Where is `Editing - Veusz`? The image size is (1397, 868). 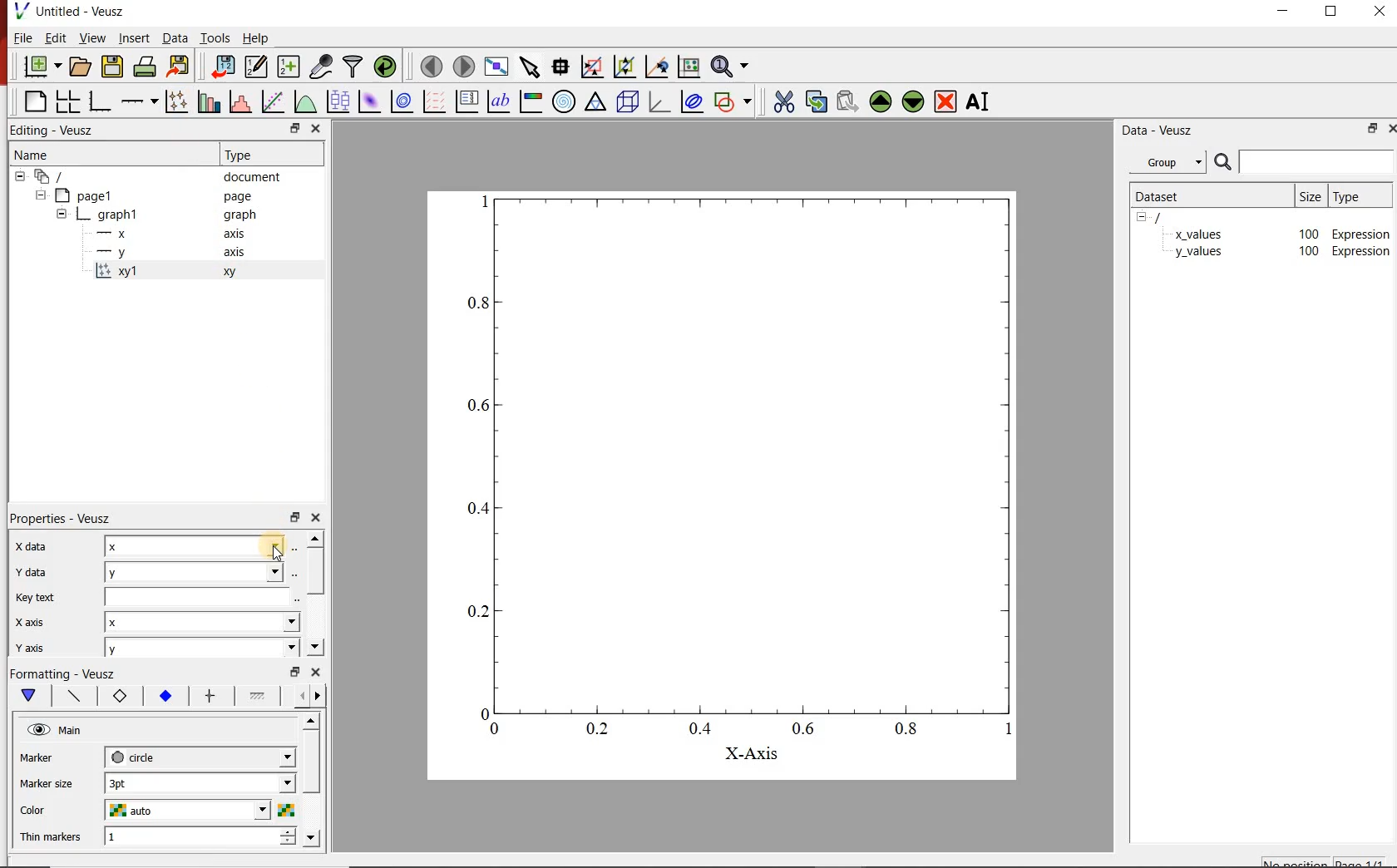
Editing - Veusz is located at coordinates (53, 131).